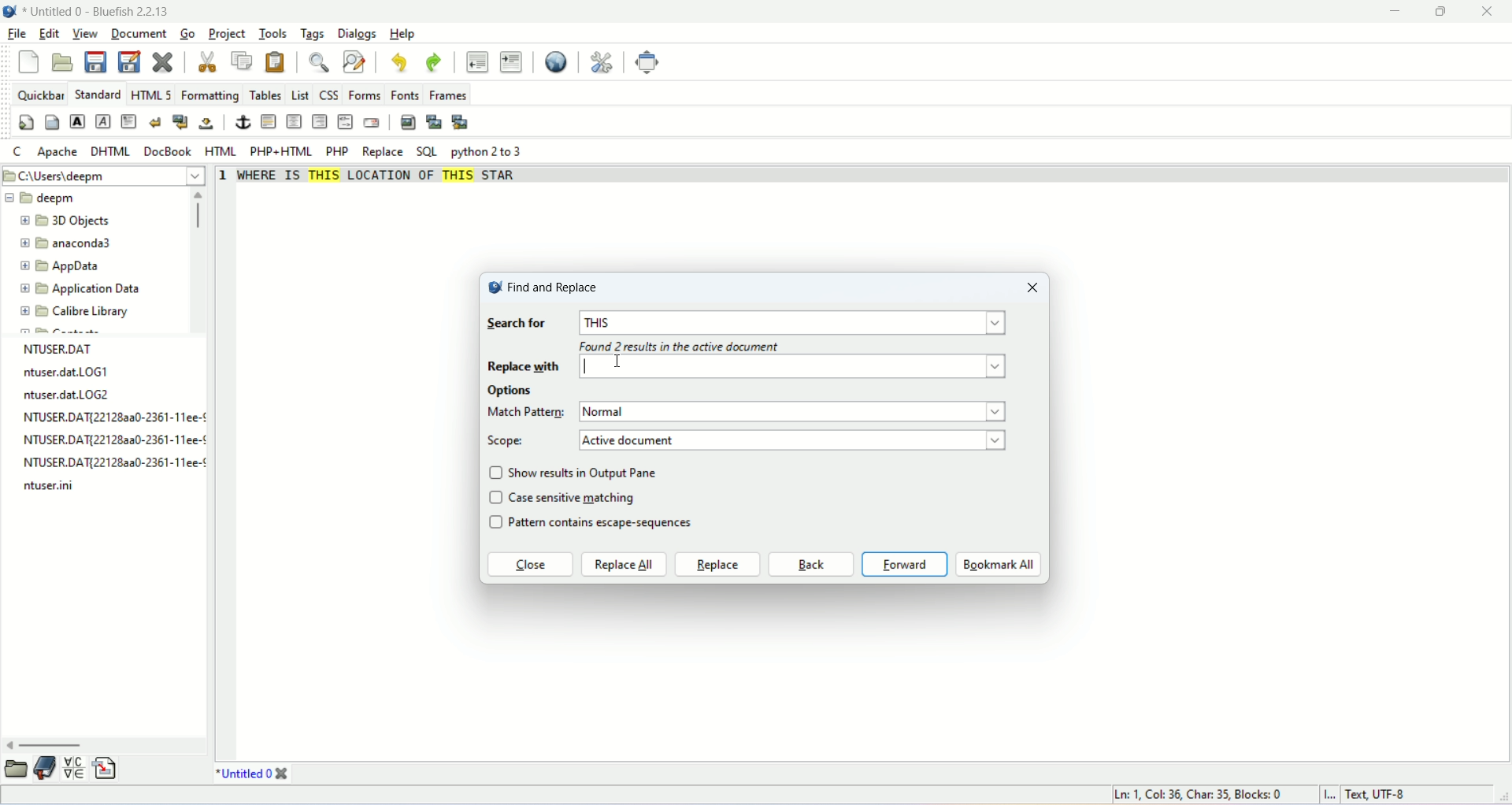 Image resolution: width=1512 pixels, height=805 pixels. Describe the element at coordinates (80, 289) in the screenshot. I see `Application Data` at that location.